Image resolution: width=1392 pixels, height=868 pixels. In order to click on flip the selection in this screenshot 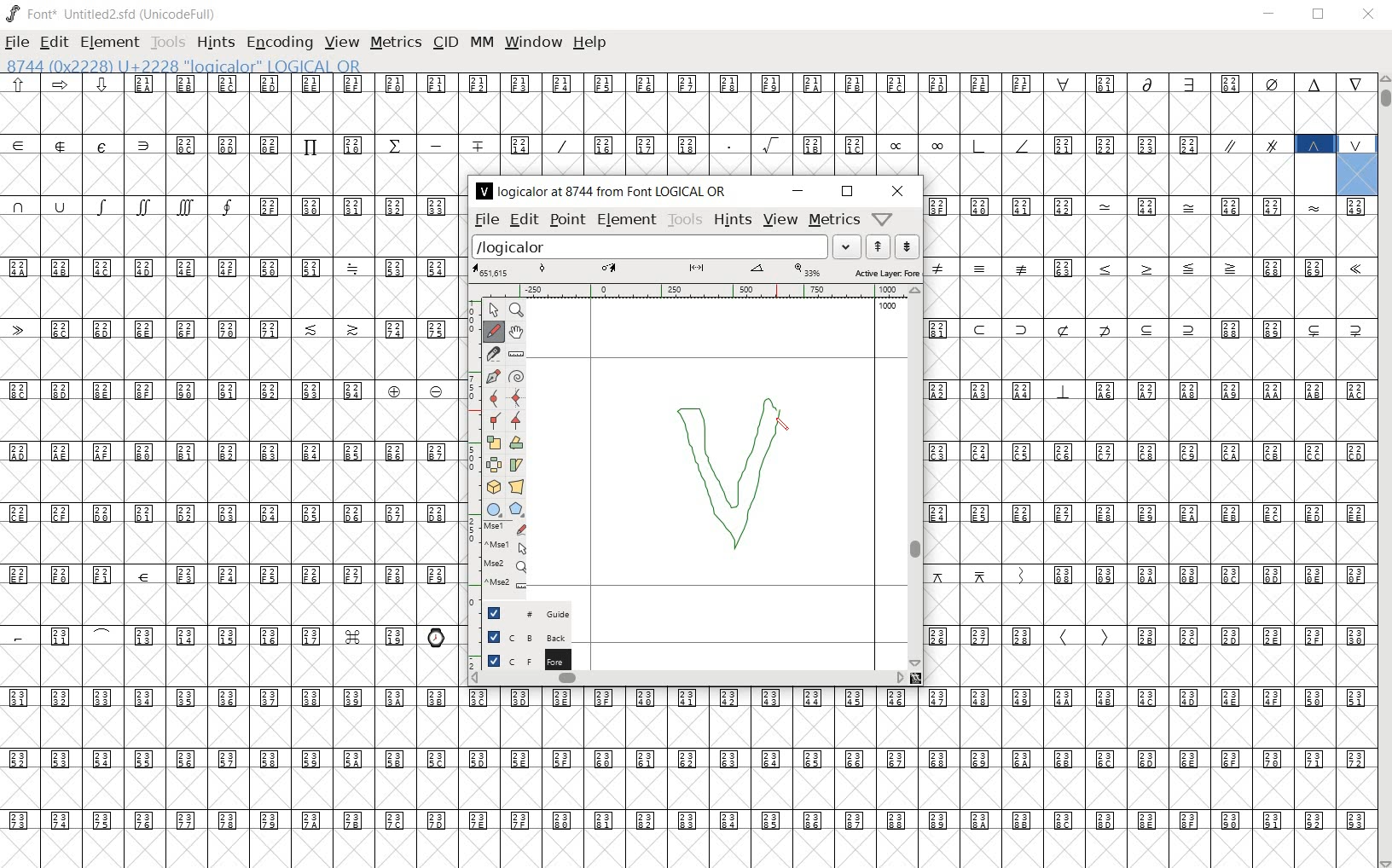, I will do `click(492, 465)`.